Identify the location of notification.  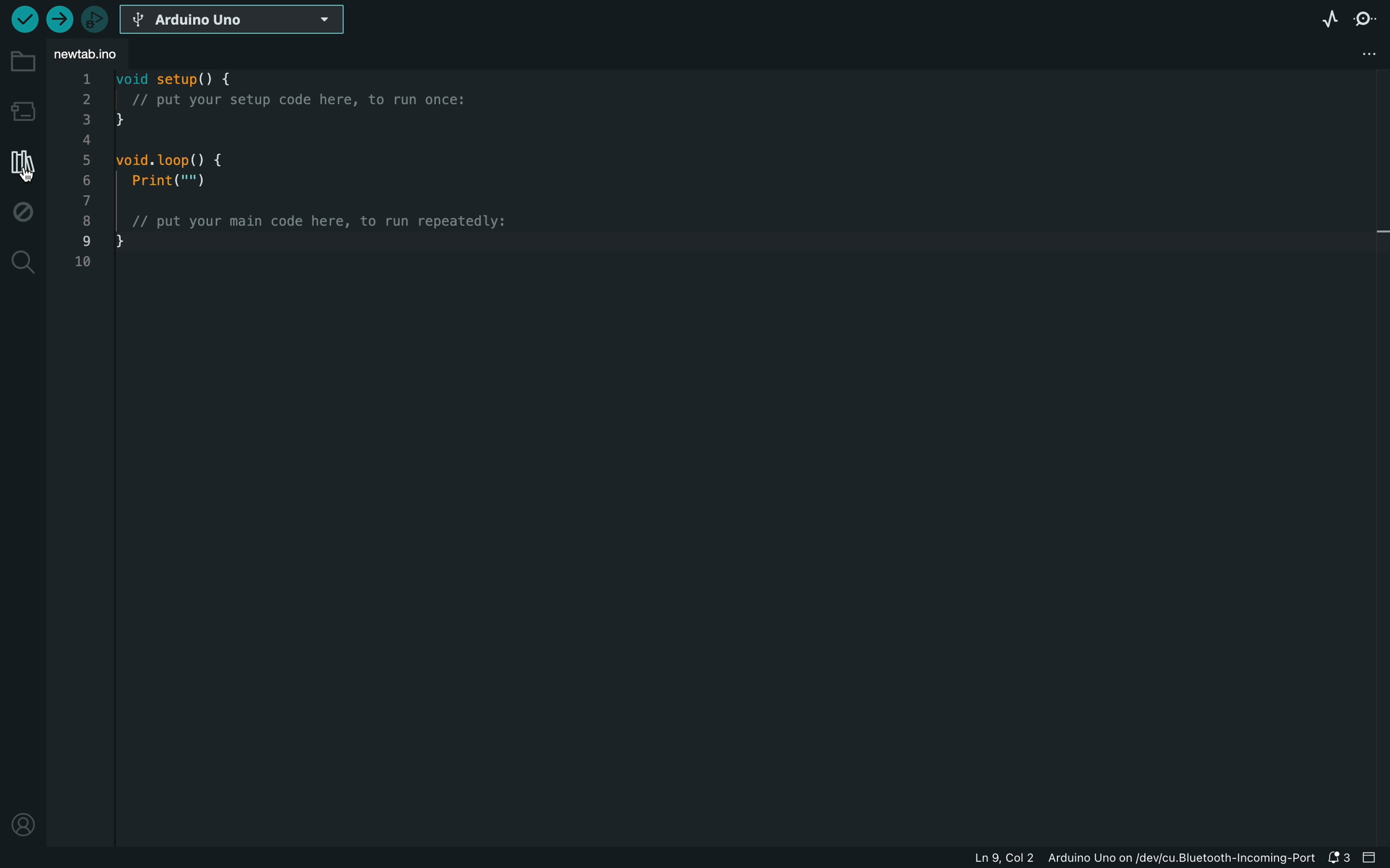
(1339, 856).